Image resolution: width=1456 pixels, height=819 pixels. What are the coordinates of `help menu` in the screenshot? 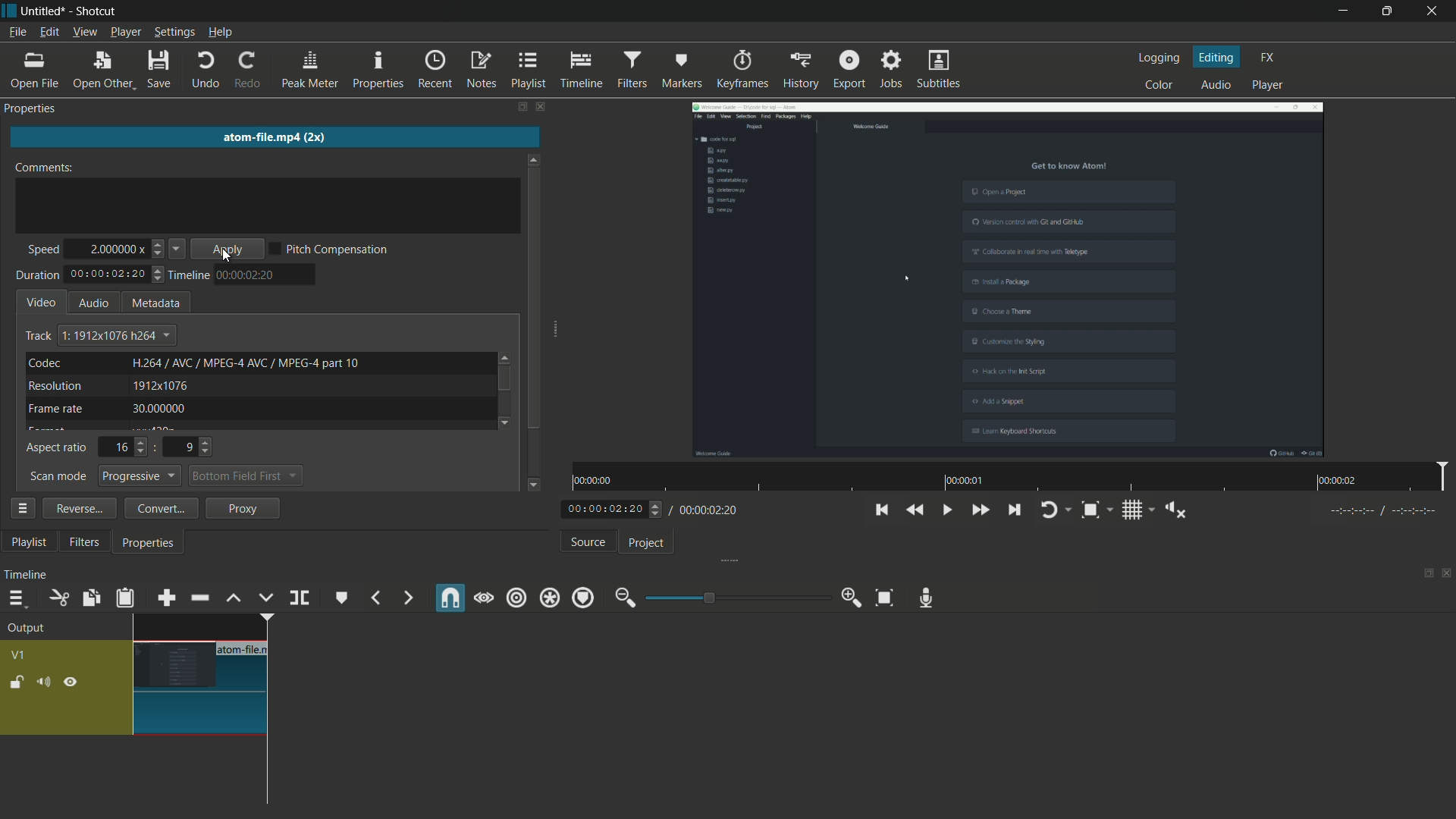 It's located at (221, 32).